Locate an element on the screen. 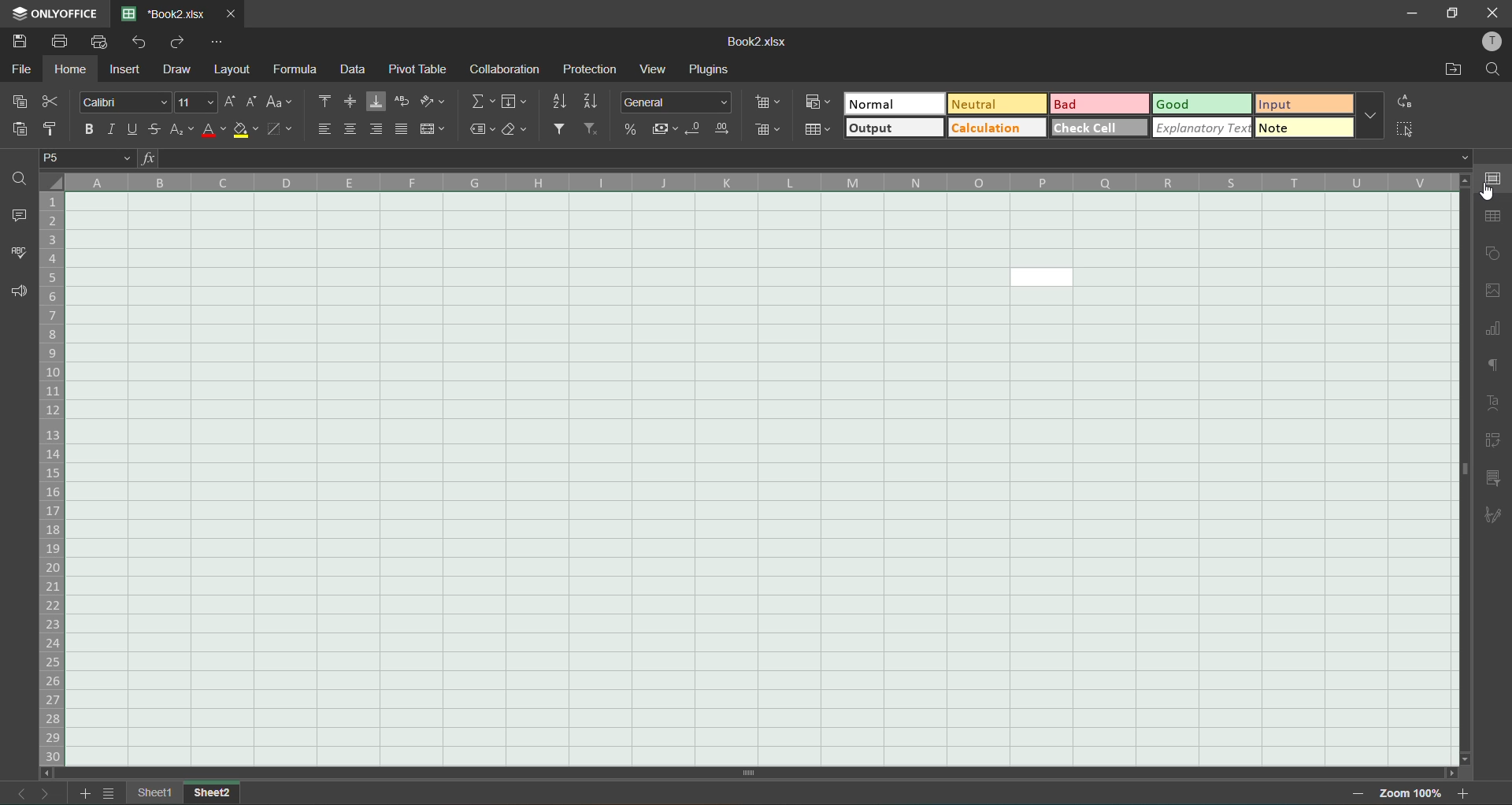 The image size is (1512, 805). sort ascending is located at coordinates (564, 103).